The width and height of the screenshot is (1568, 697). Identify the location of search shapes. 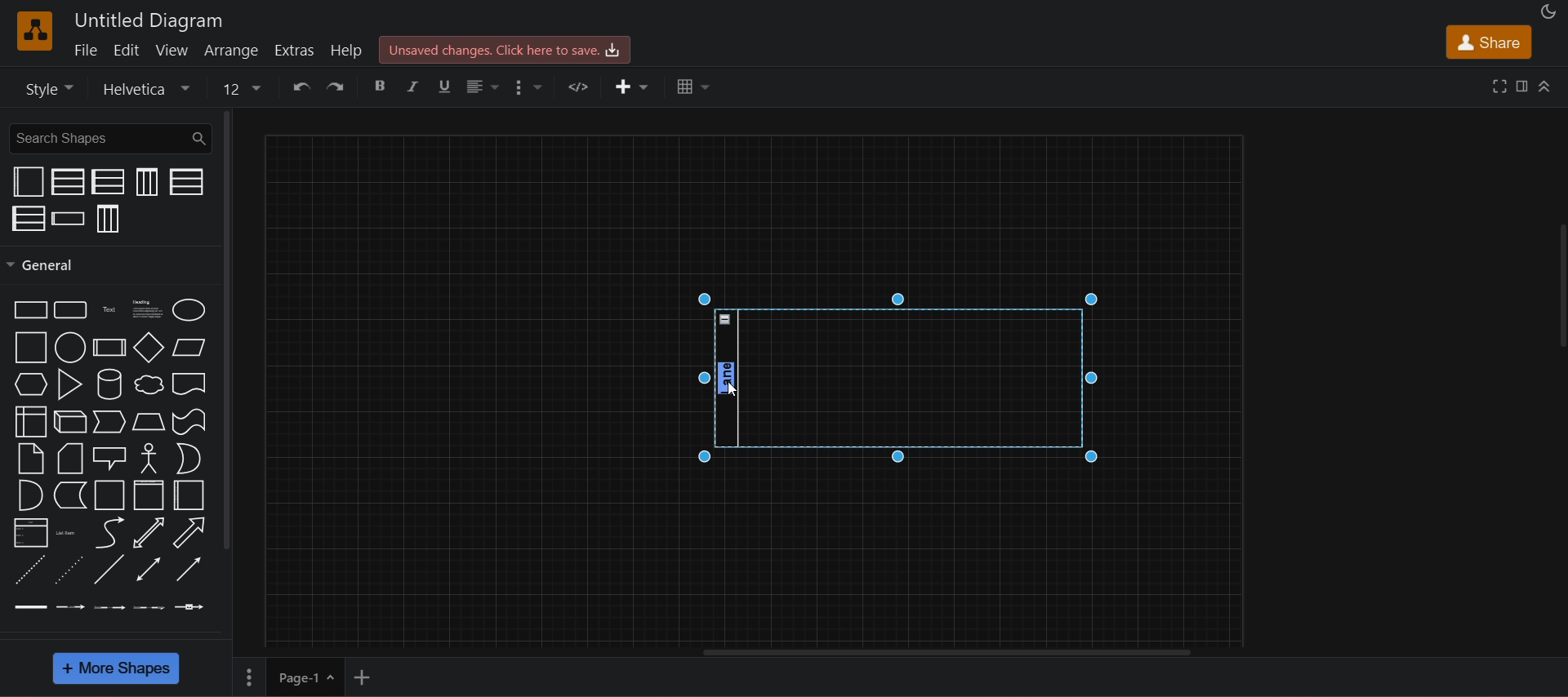
(109, 137).